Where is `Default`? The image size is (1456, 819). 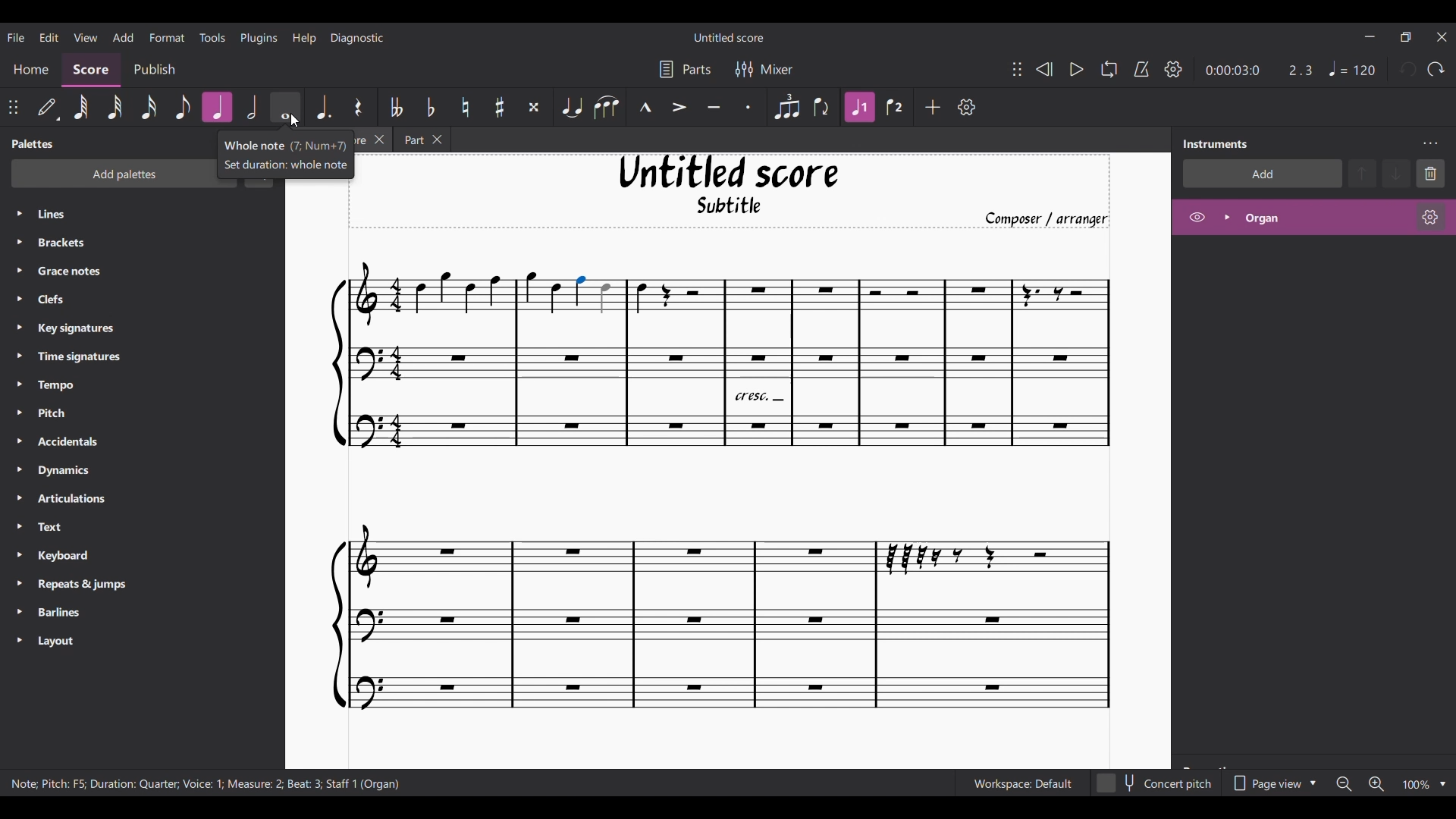 Default is located at coordinates (49, 108).